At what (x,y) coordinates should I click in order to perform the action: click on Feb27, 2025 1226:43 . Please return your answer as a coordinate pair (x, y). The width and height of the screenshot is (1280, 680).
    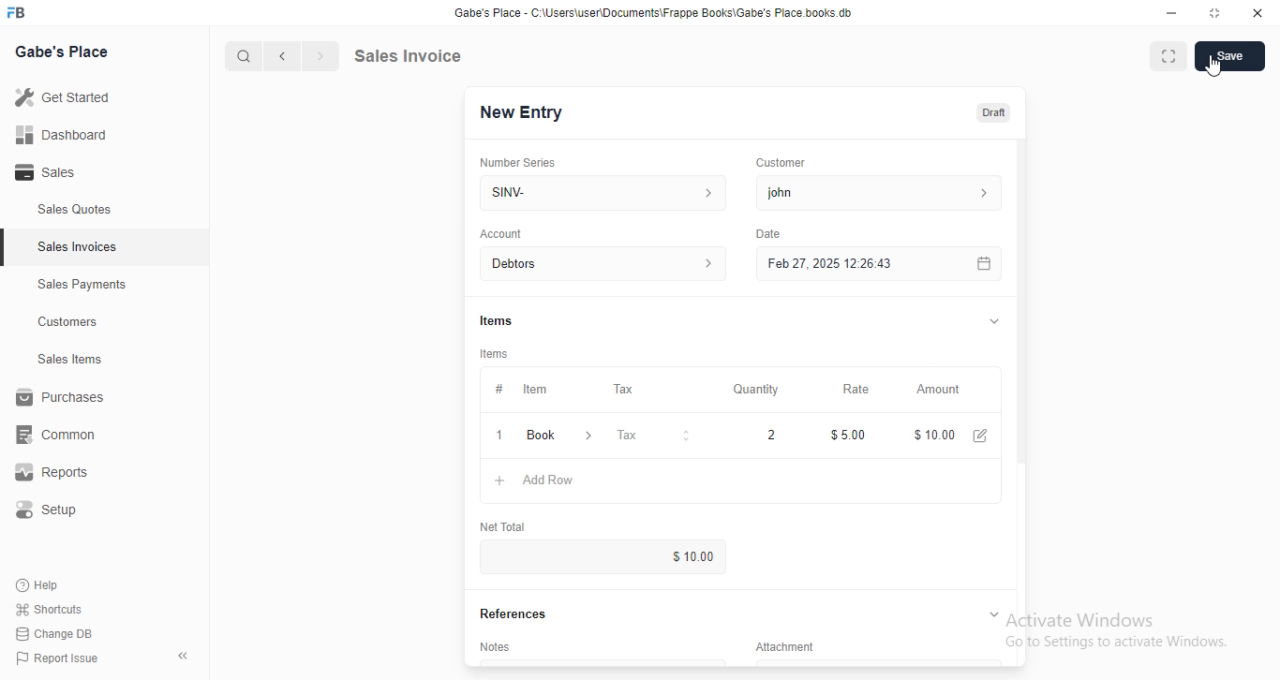
    Looking at the image, I should click on (826, 266).